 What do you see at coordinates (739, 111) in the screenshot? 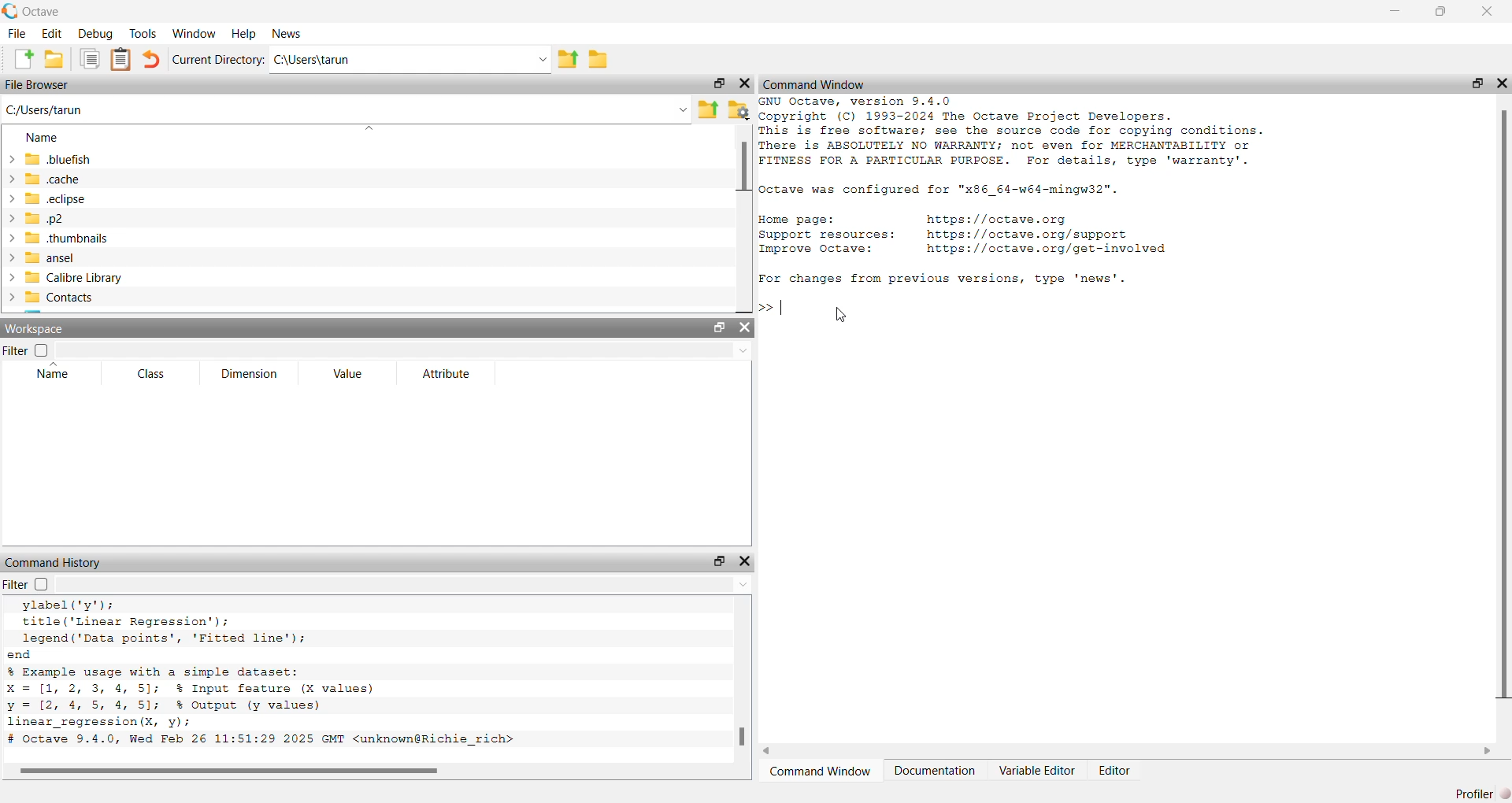
I see `browse your files` at bounding box center [739, 111].